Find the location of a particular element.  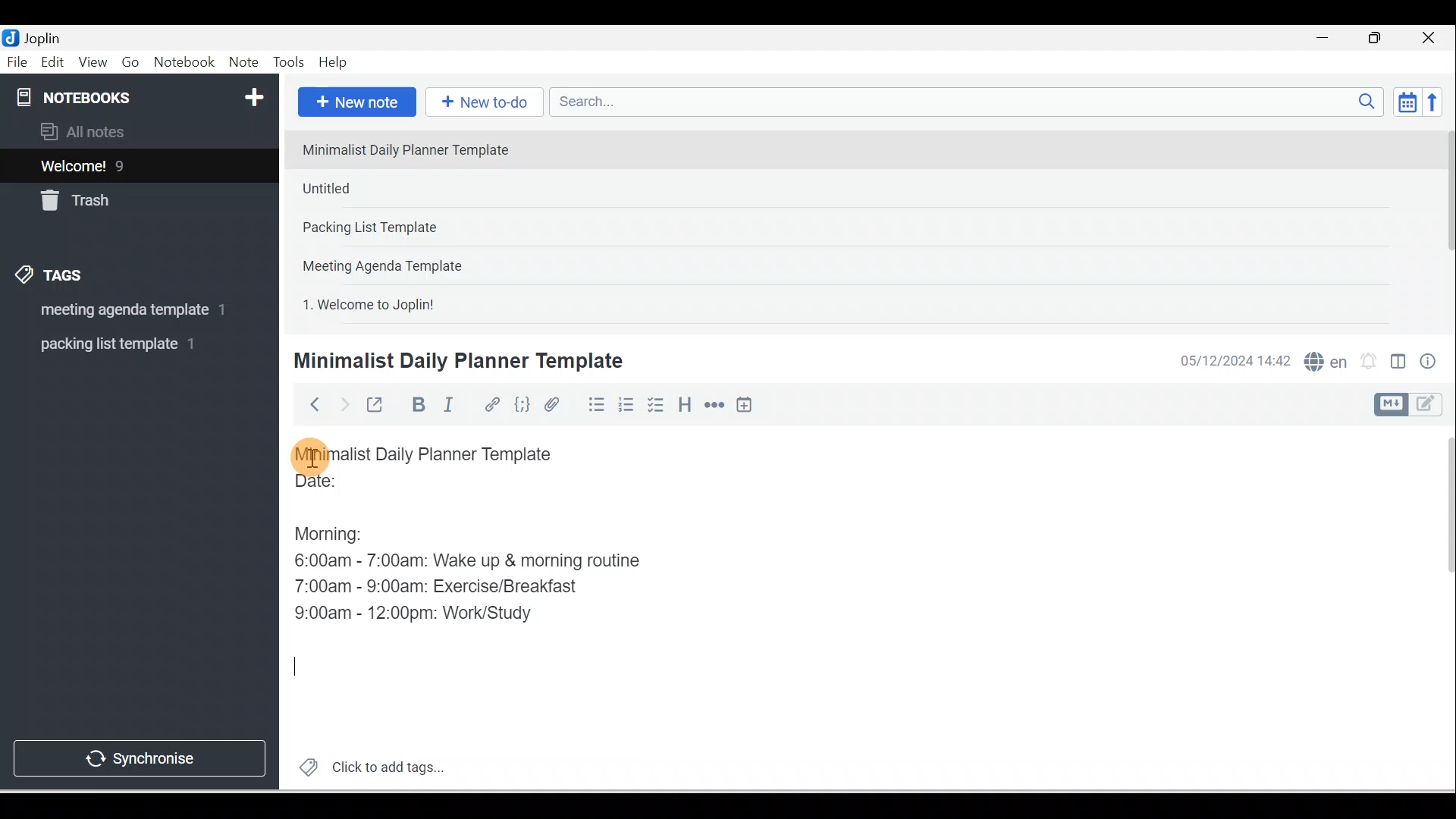

File is located at coordinates (18, 61).